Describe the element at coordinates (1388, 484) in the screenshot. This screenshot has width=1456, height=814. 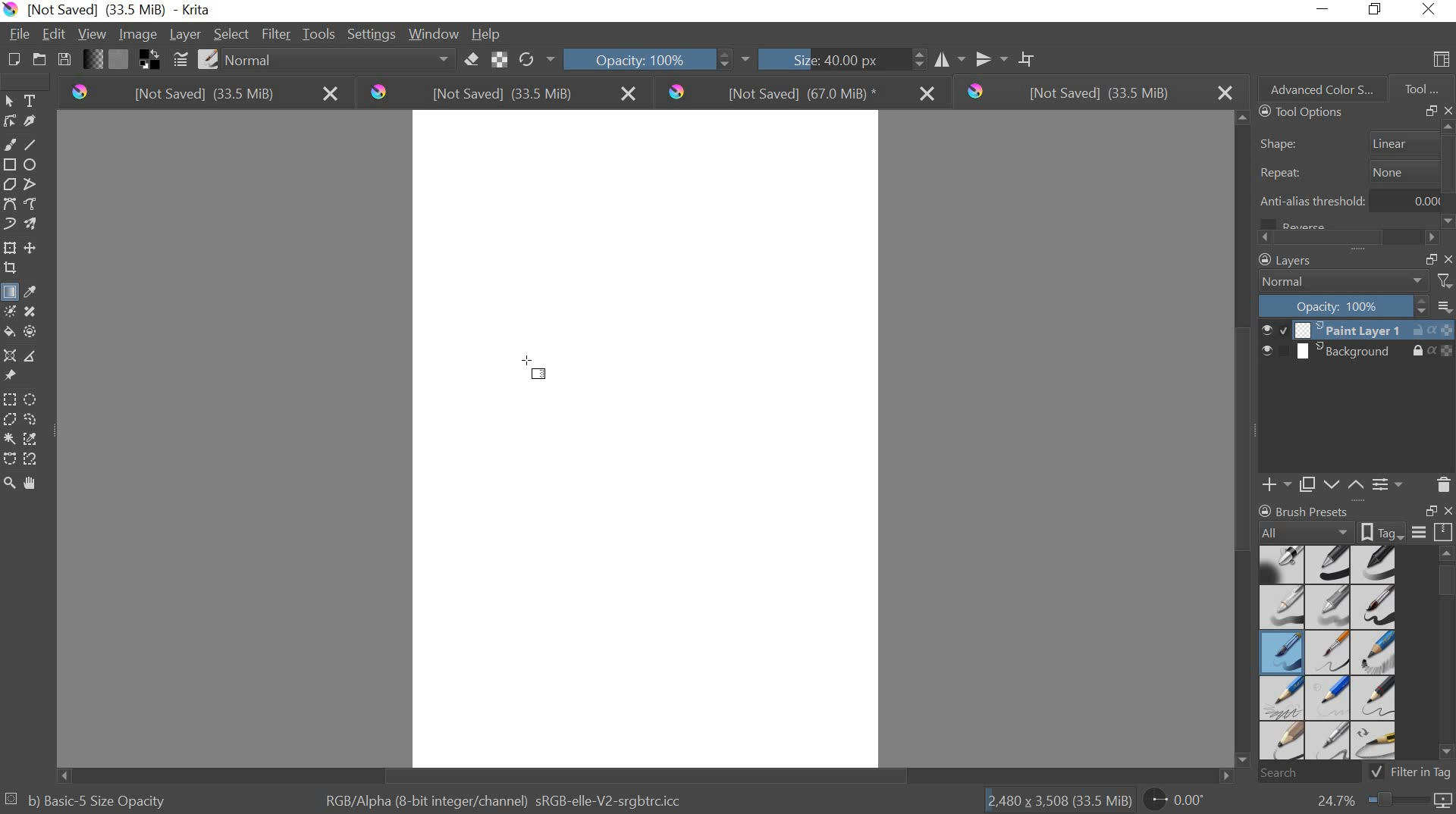
I see `LAYER PROPERTIES` at that location.